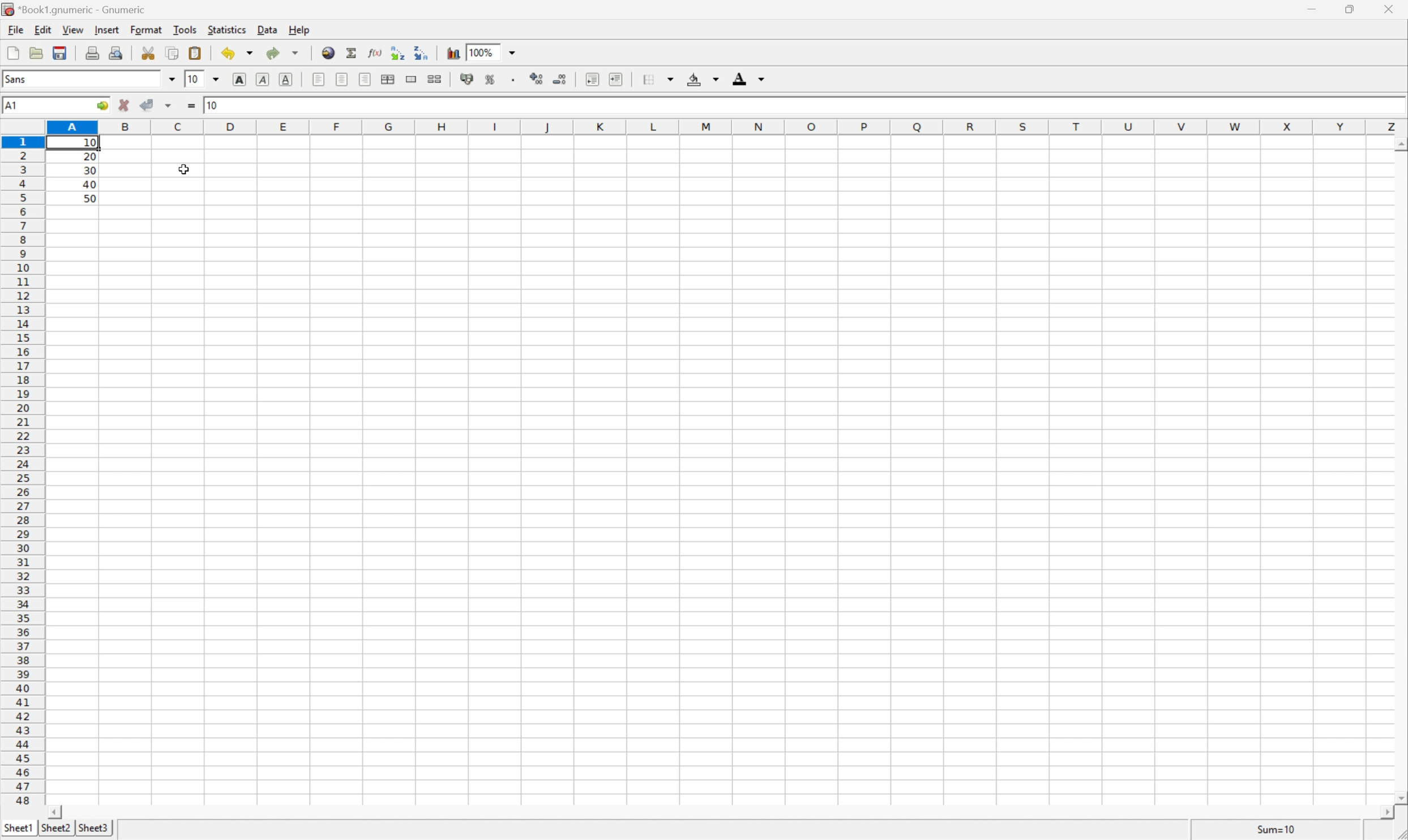  What do you see at coordinates (1313, 10) in the screenshot?
I see `Minimize` at bounding box center [1313, 10].